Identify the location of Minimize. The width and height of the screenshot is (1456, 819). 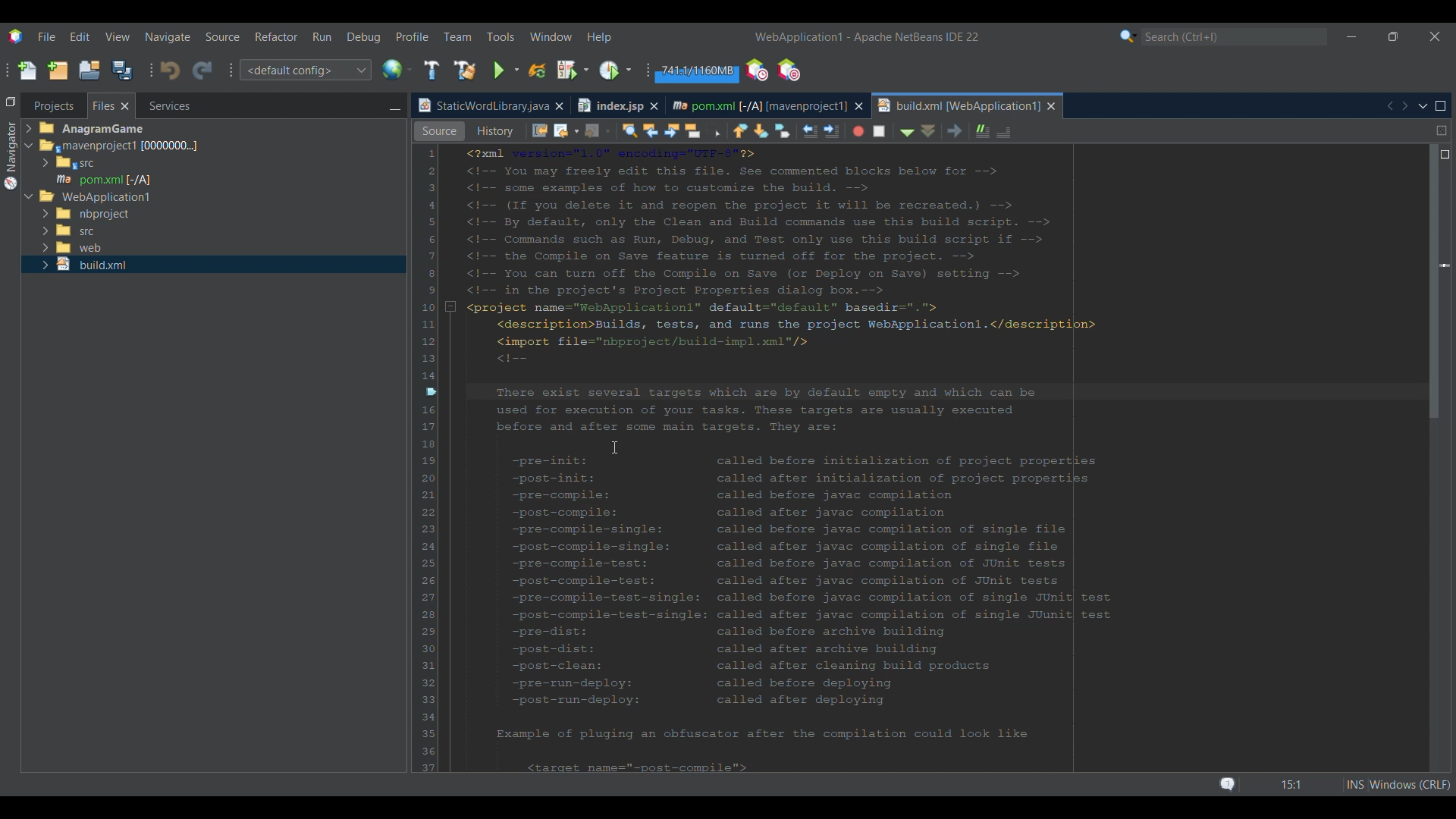
(394, 107).